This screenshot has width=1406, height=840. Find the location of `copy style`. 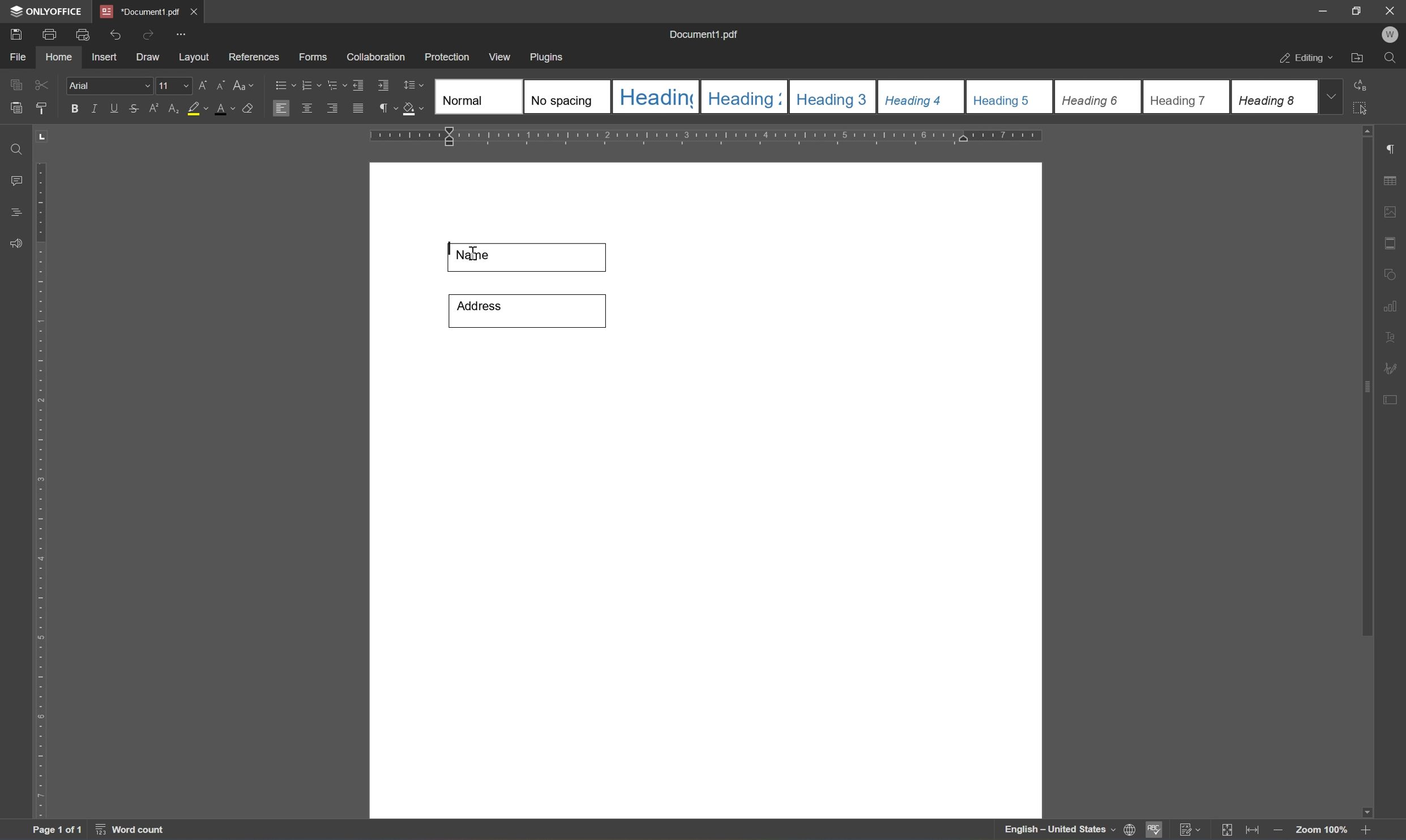

copy style is located at coordinates (41, 108).